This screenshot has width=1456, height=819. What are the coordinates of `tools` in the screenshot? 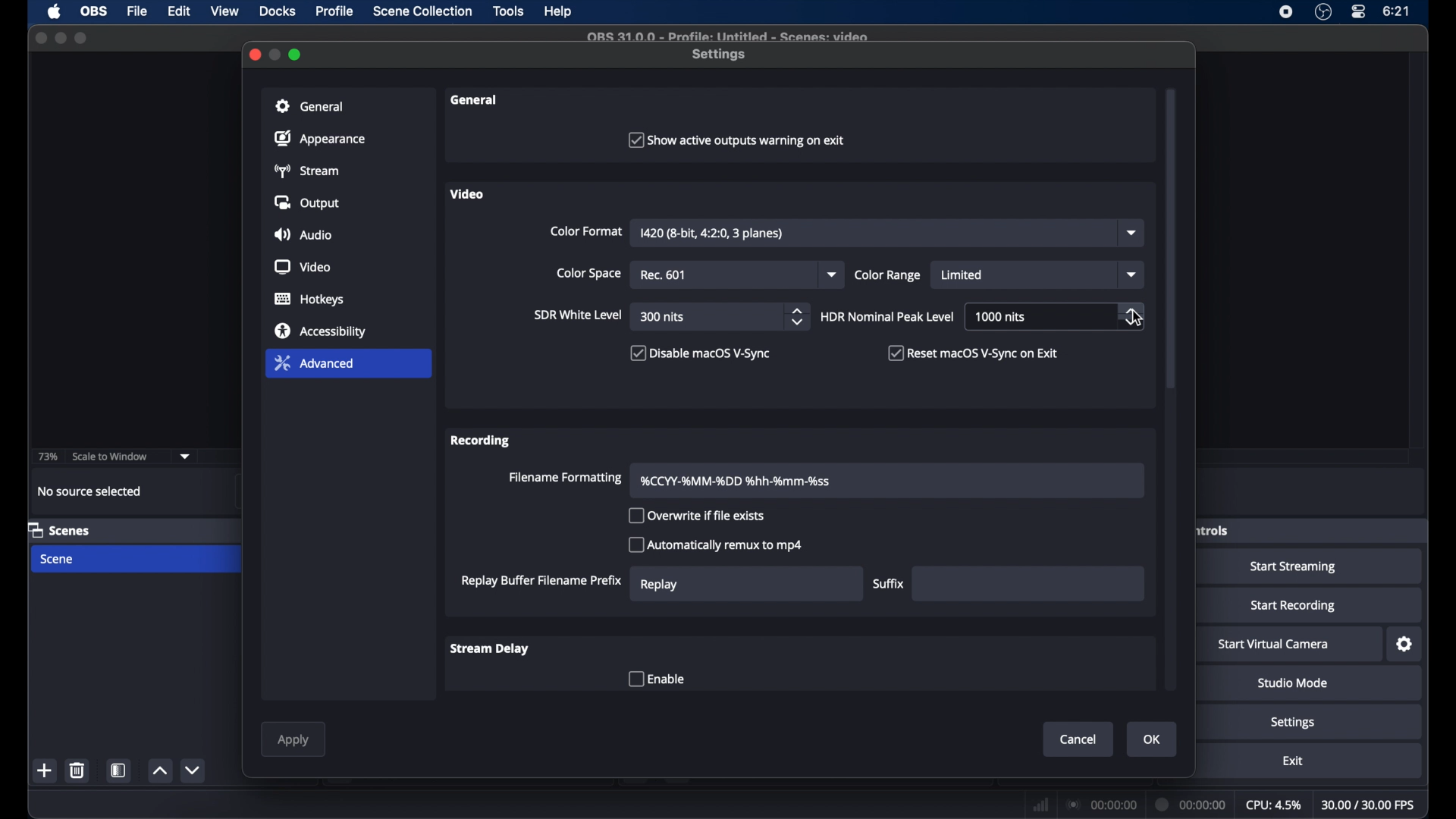 It's located at (510, 11).